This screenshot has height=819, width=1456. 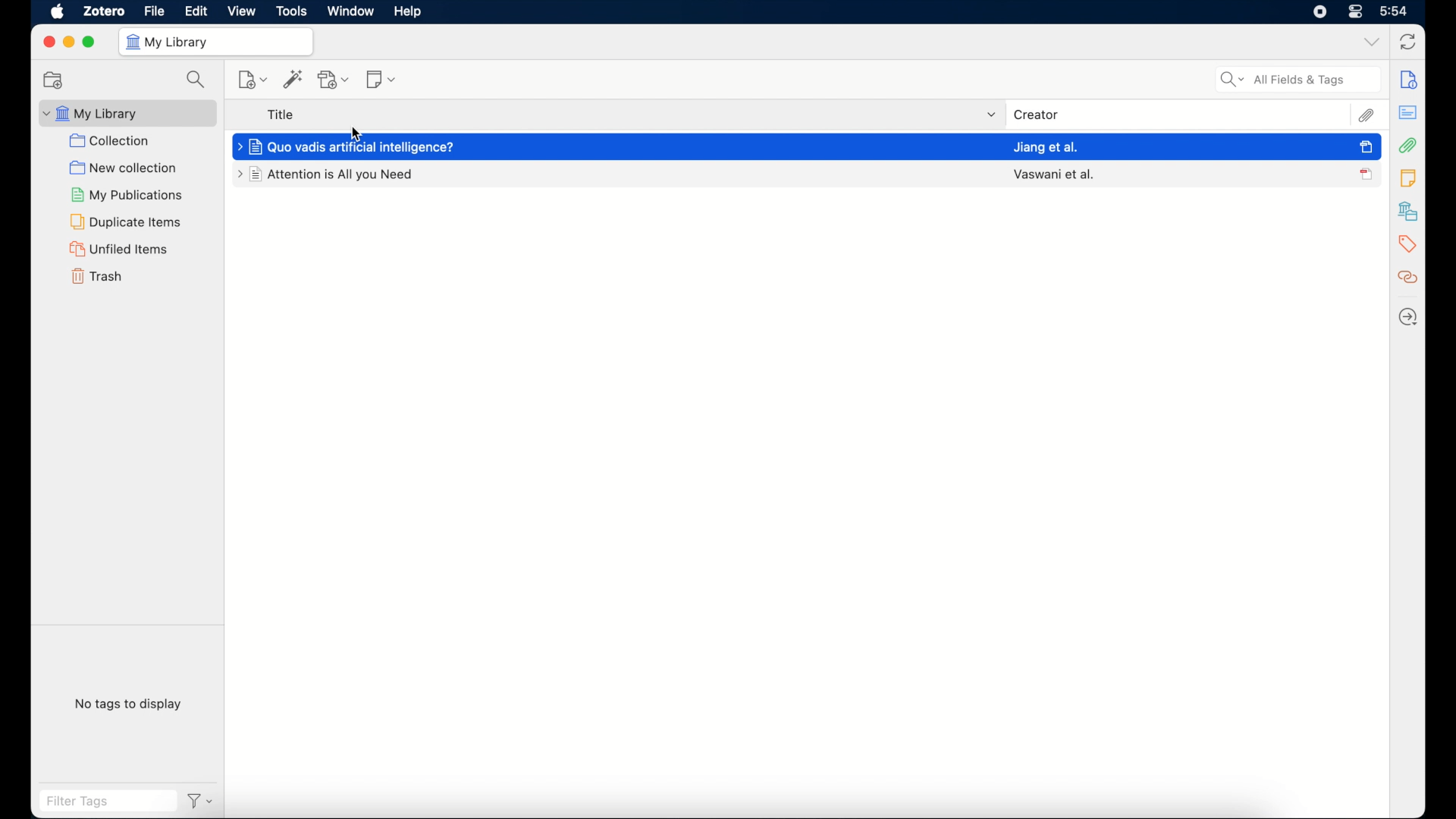 What do you see at coordinates (327, 174) in the screenshot?
I see `journal title` at bounding box center [327, 174].